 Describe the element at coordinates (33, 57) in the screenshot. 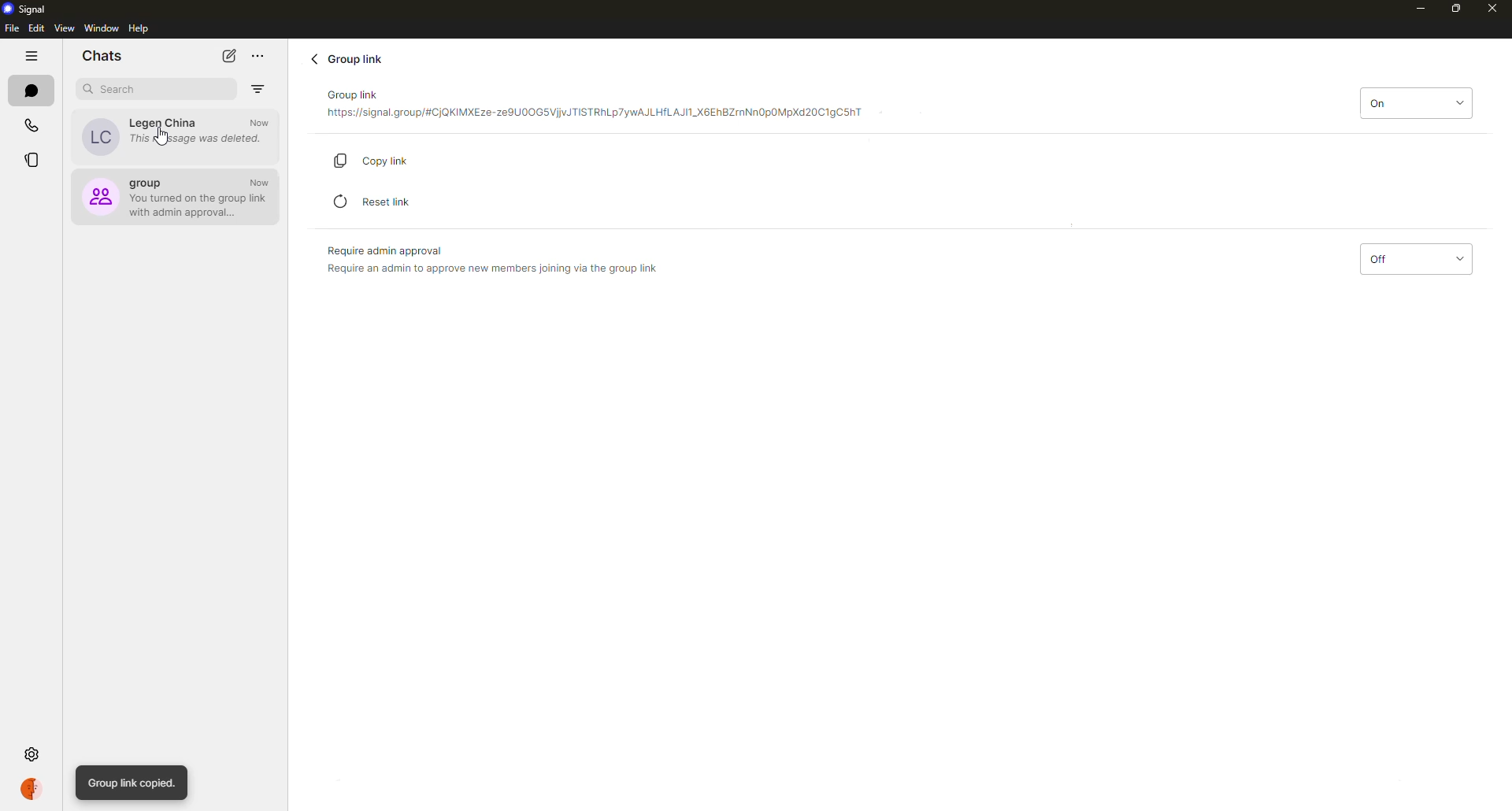

I see `hide tabs` at that location.